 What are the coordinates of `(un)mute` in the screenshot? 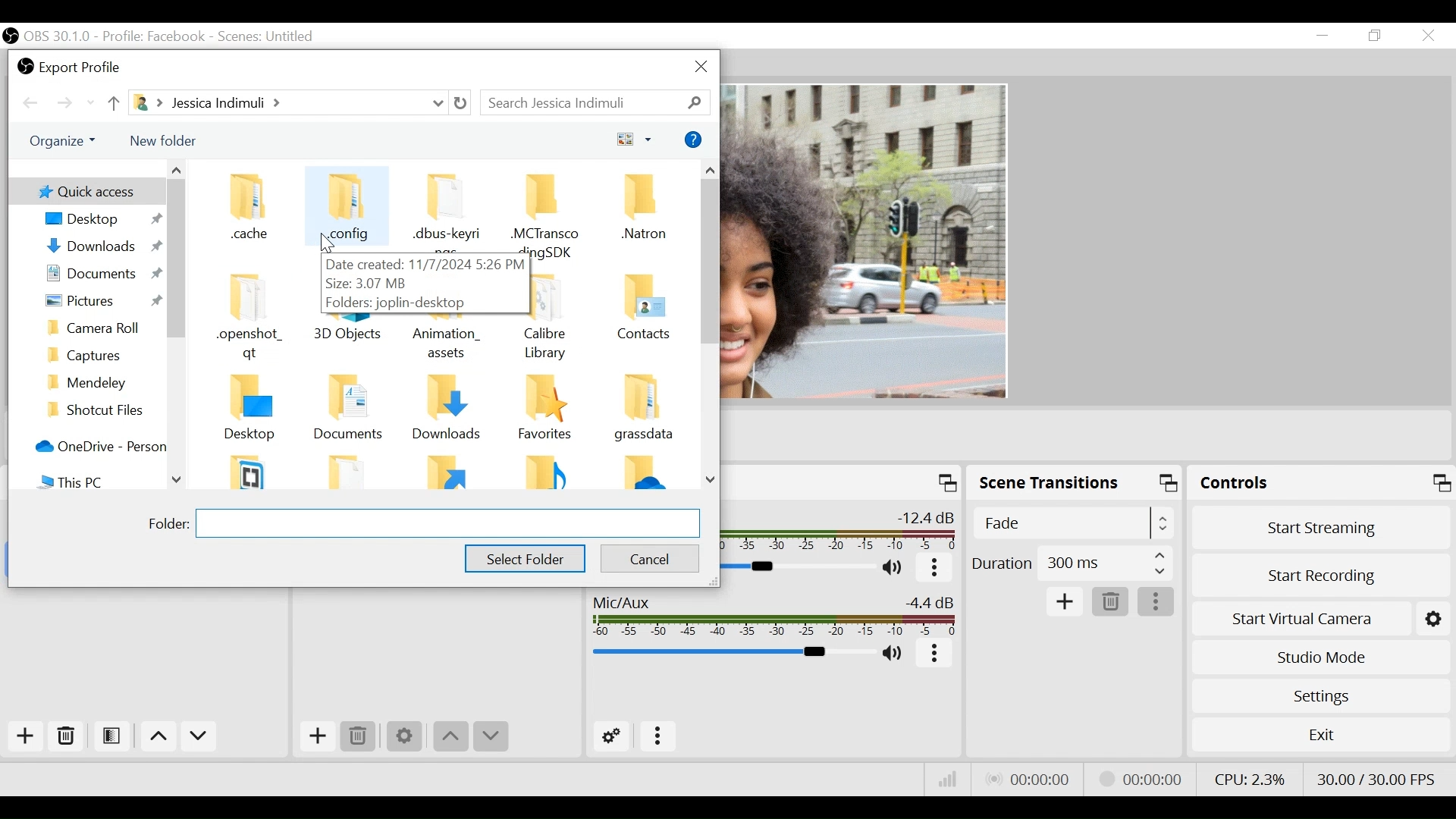 It's located at (895, 654).